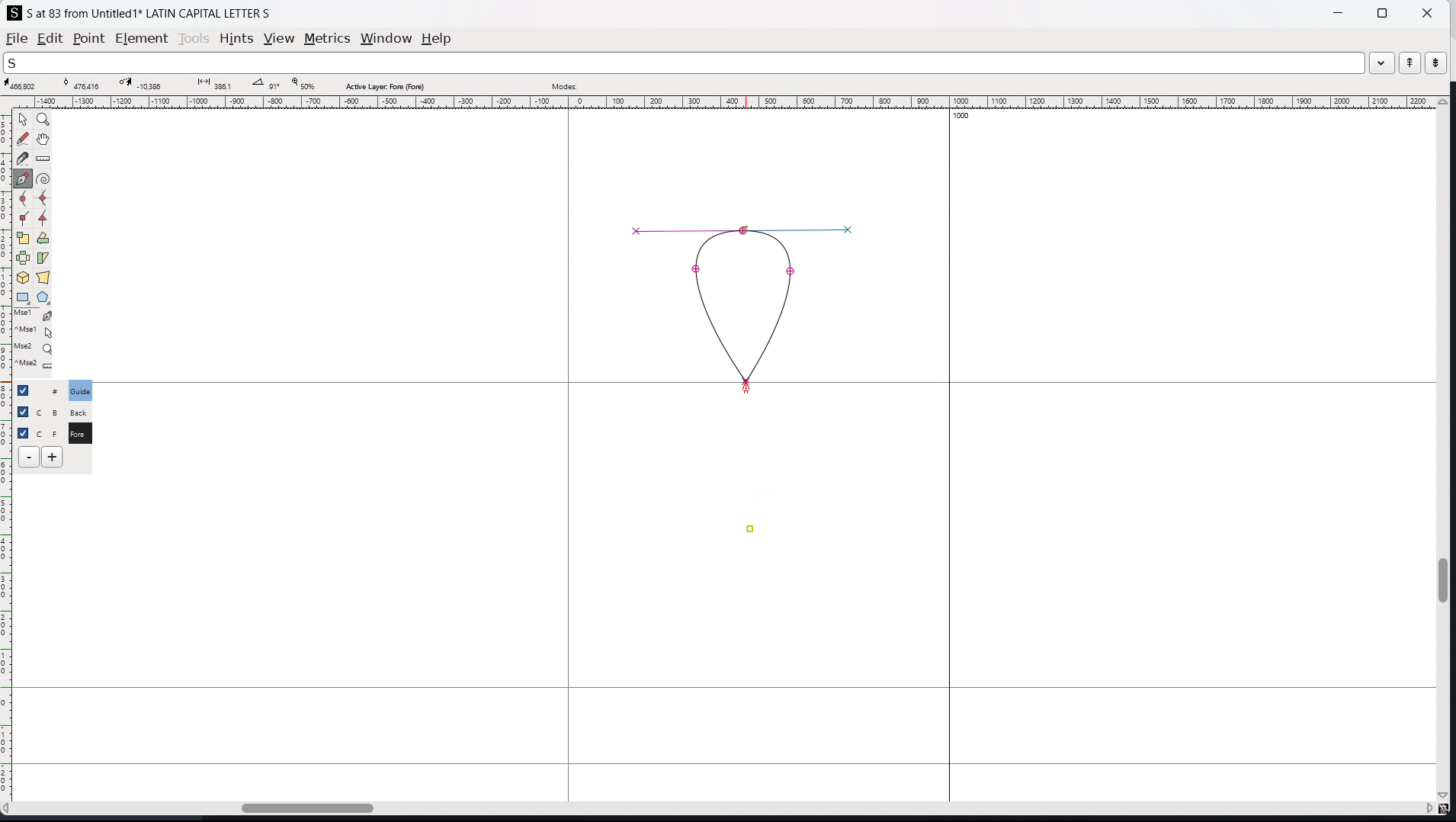  What do you see at coordinates (25, 85) in the screenshot?
I see `cursor coordinate` at bounding box center [25, 85].